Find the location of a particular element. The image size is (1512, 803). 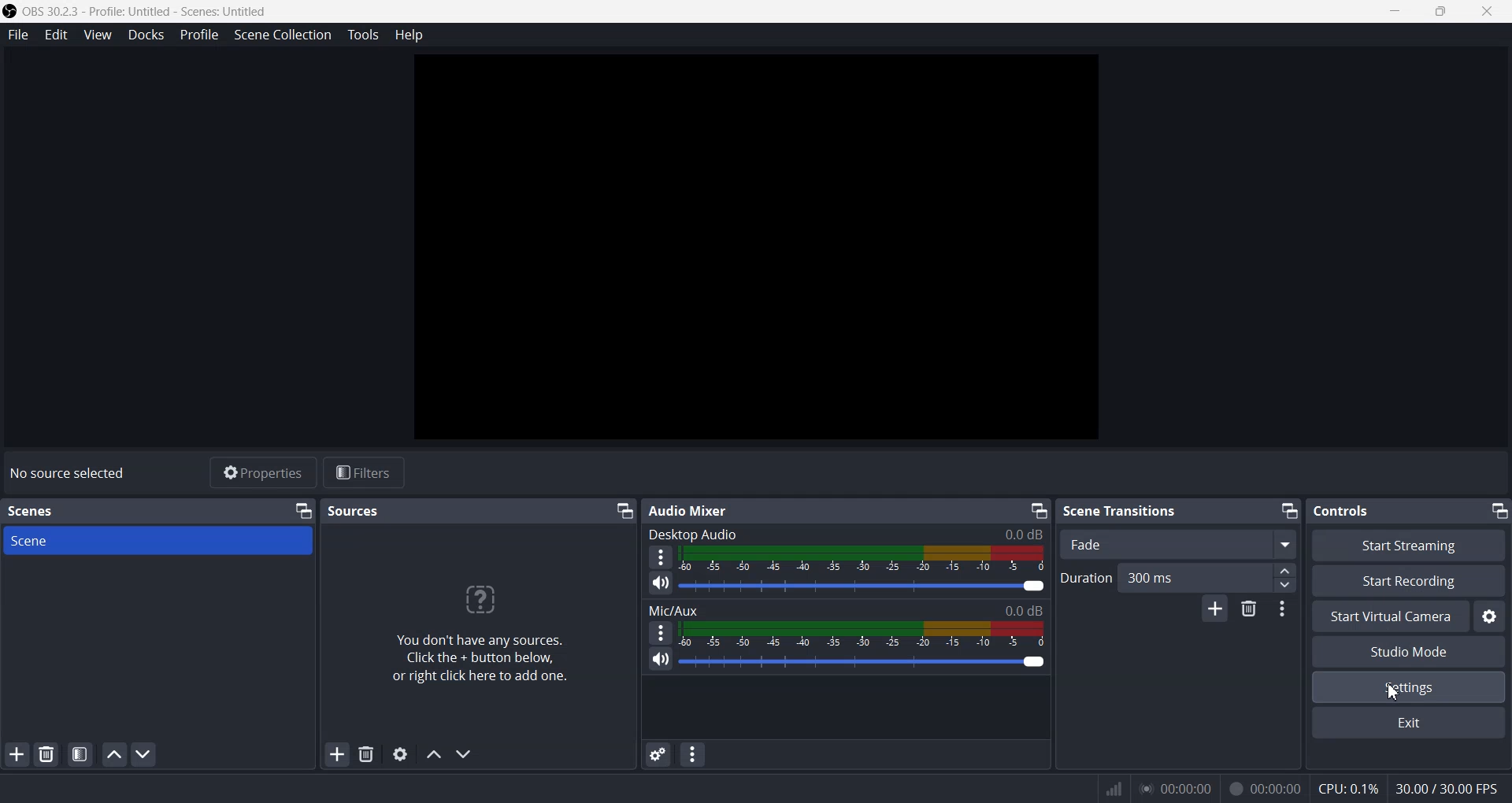

Minimize is located at coordinates (1036, 510).